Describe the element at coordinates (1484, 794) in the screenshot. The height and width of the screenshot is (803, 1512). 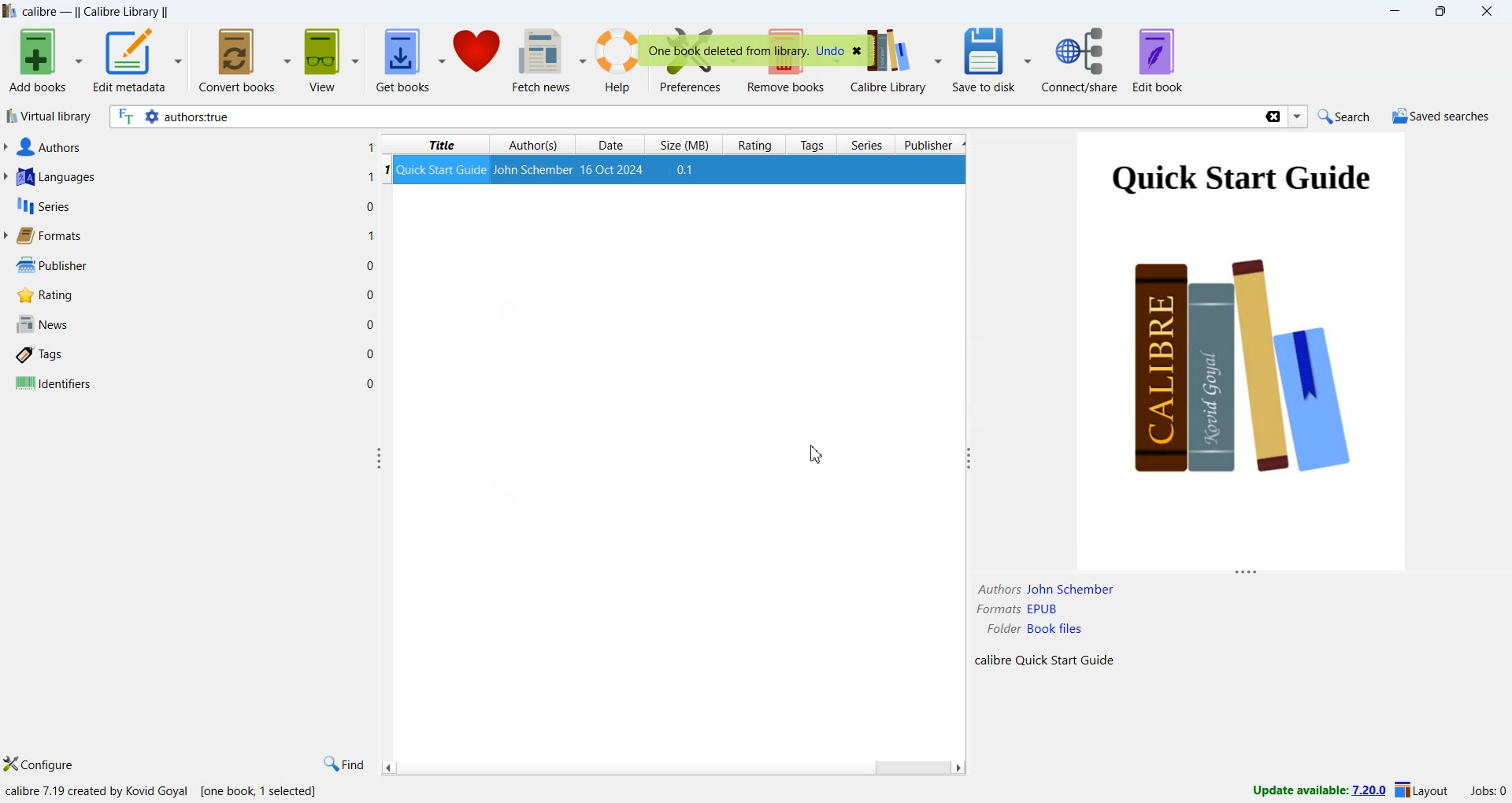
I see `jobs` at that location.